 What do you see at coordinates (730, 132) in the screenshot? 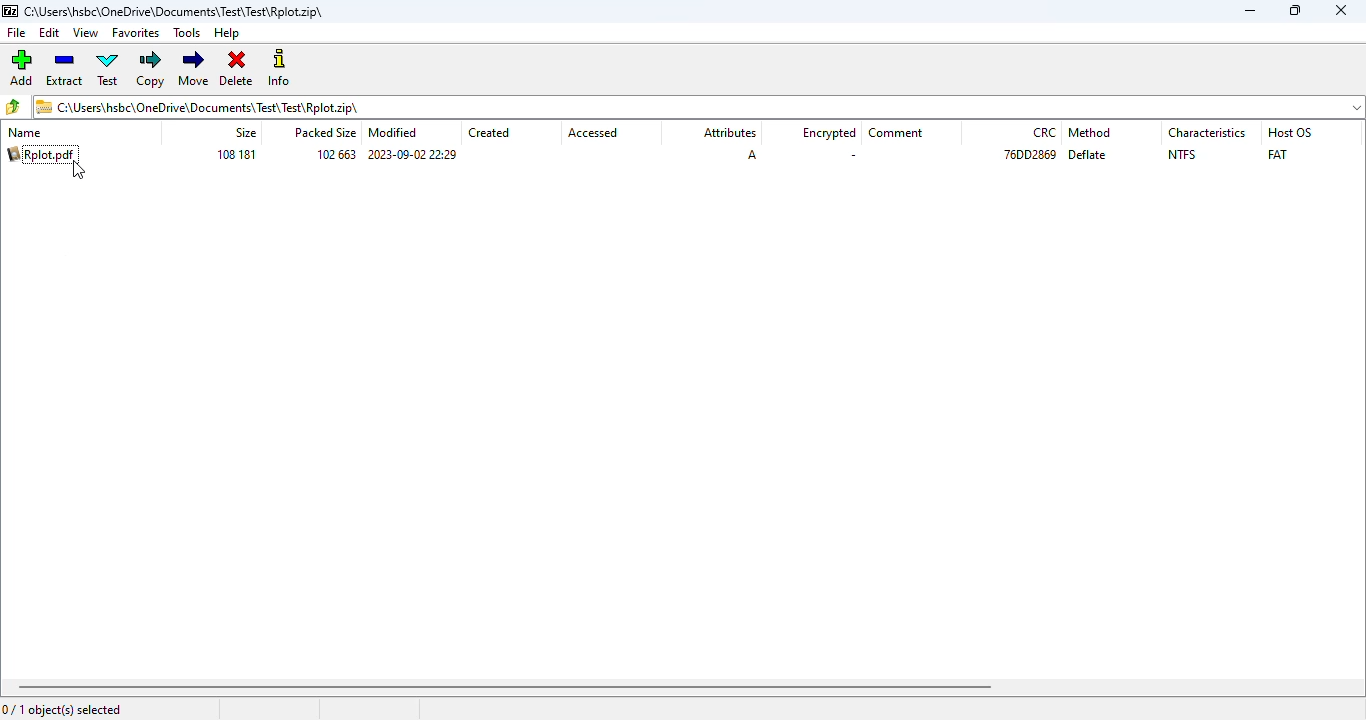
I see `attributes` at bounding box center [730, 132].